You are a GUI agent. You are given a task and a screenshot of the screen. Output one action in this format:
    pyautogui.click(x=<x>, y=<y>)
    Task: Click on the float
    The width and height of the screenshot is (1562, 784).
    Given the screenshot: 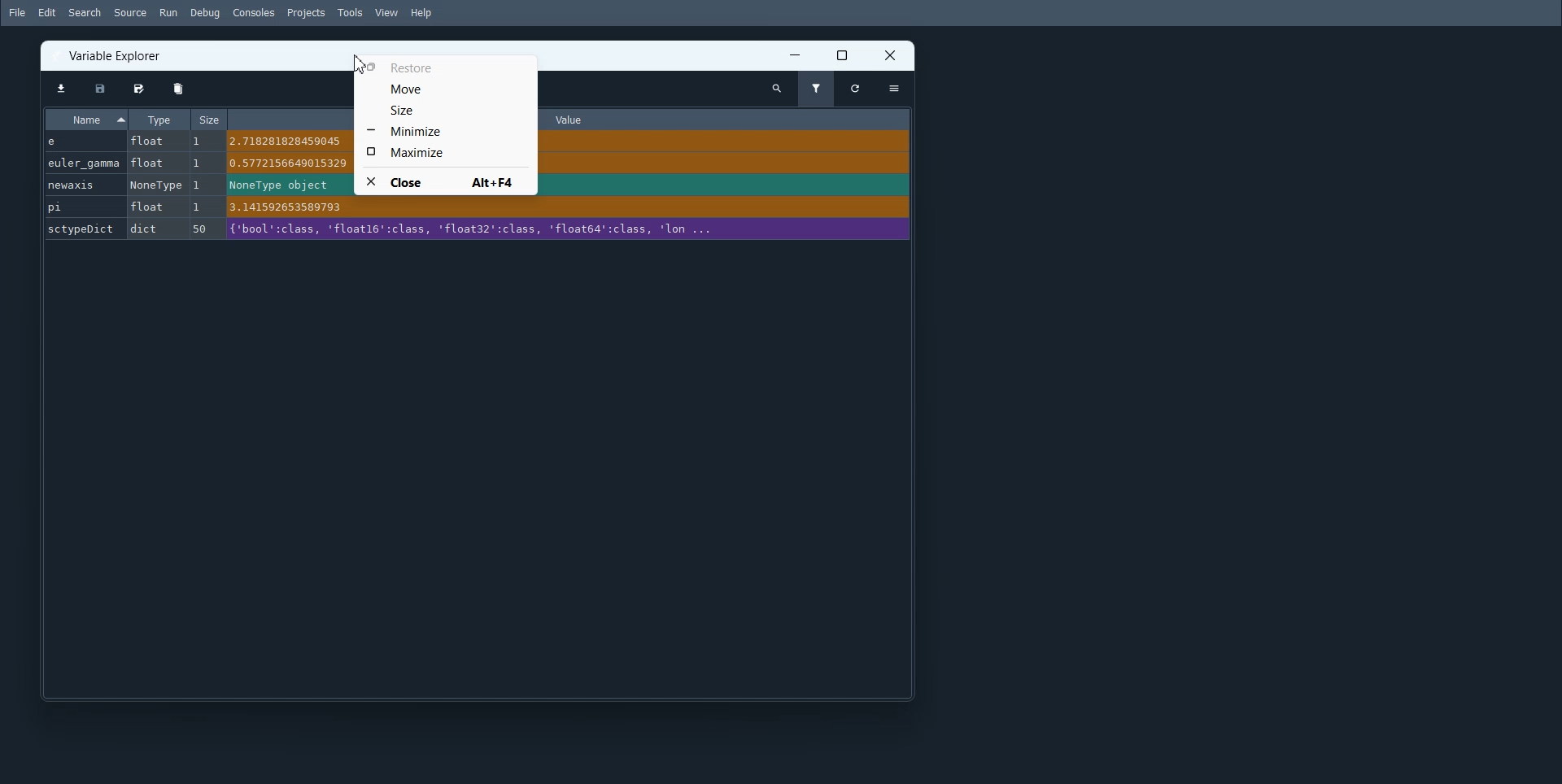 What is the action you would take?
    pyautogui.click(x=151, y=206)
    